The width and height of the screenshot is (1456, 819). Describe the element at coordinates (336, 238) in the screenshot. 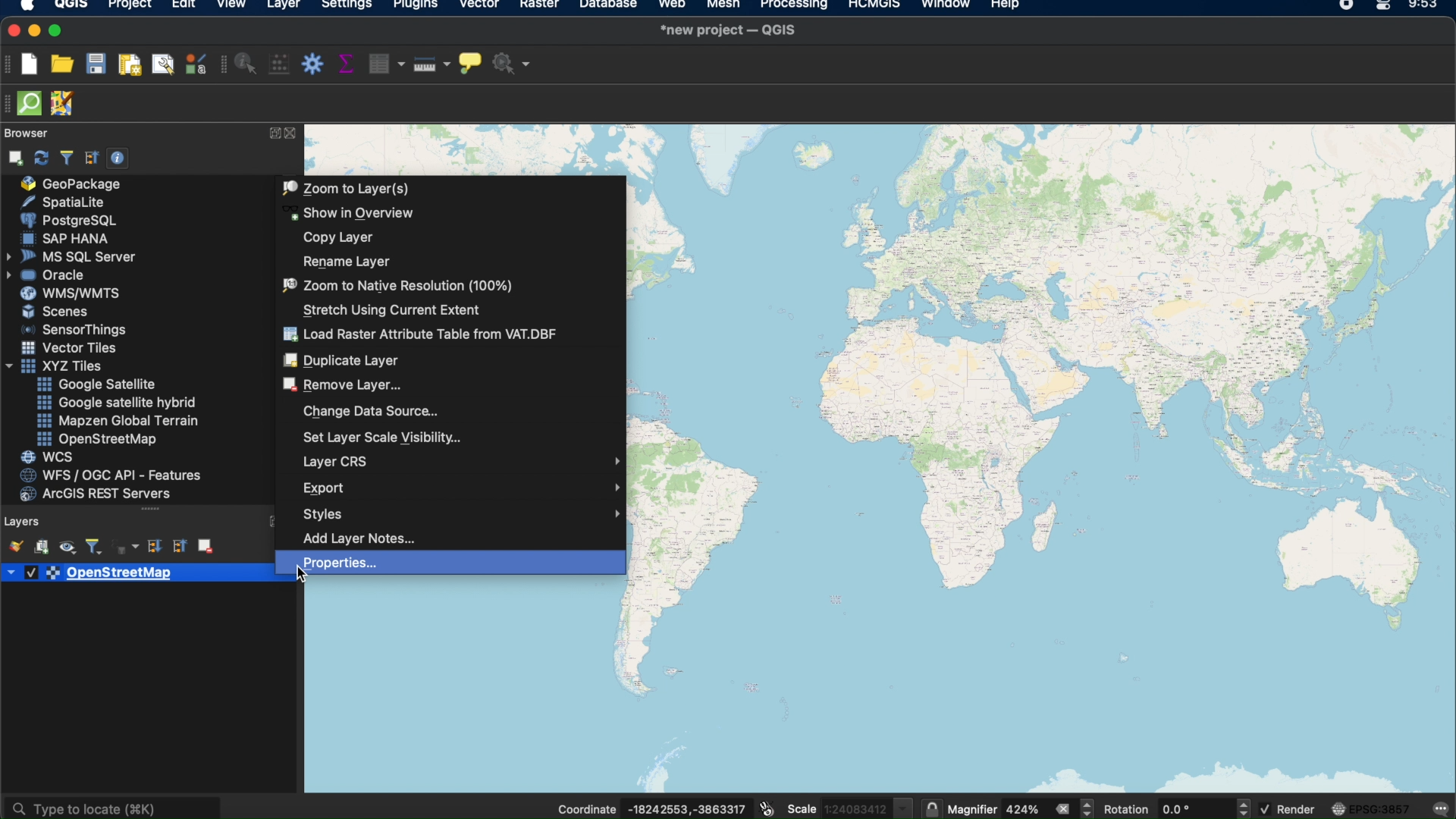

I see `copy layer` at that location.